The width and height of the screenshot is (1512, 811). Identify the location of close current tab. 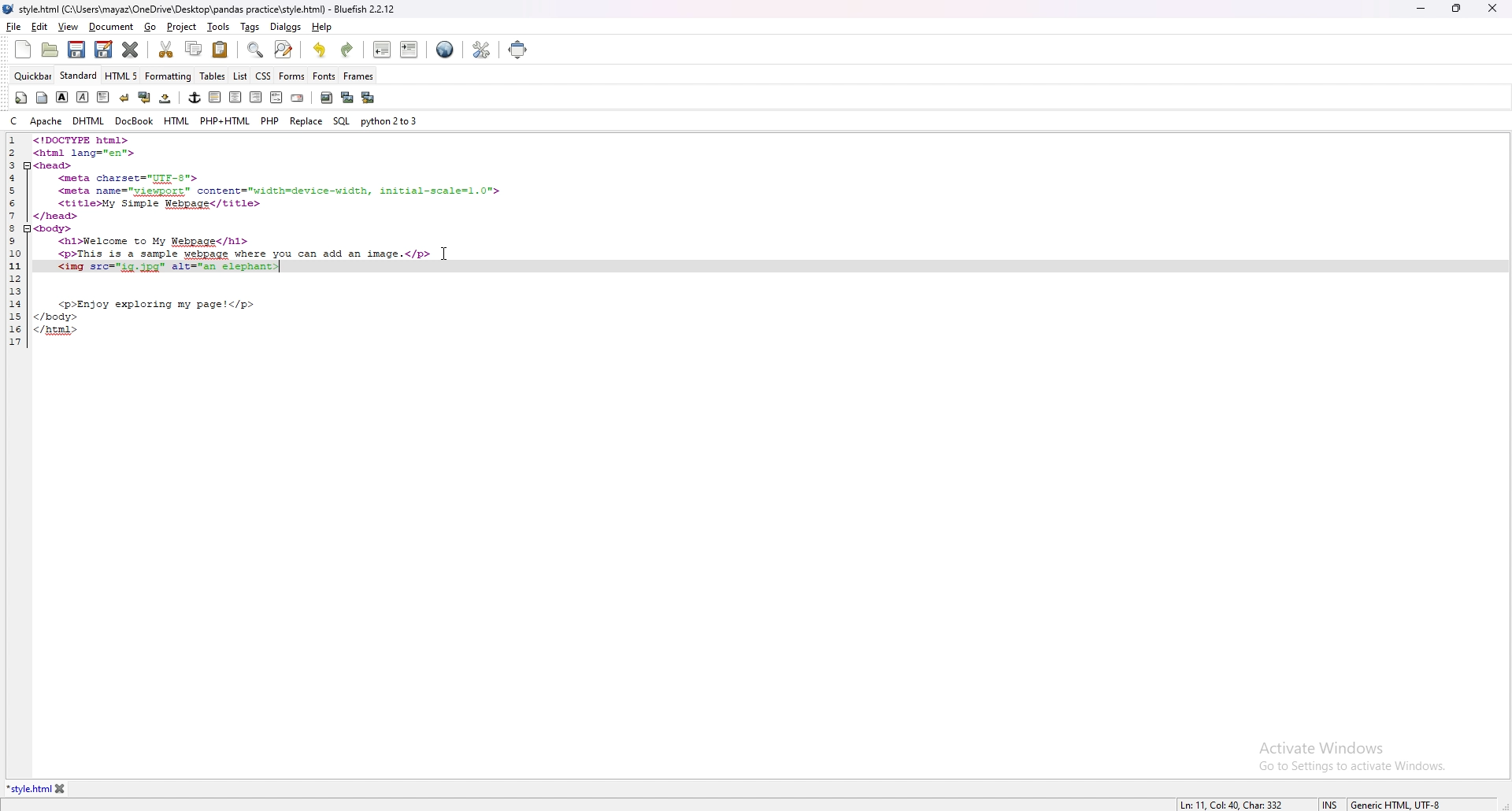
(132, 50).